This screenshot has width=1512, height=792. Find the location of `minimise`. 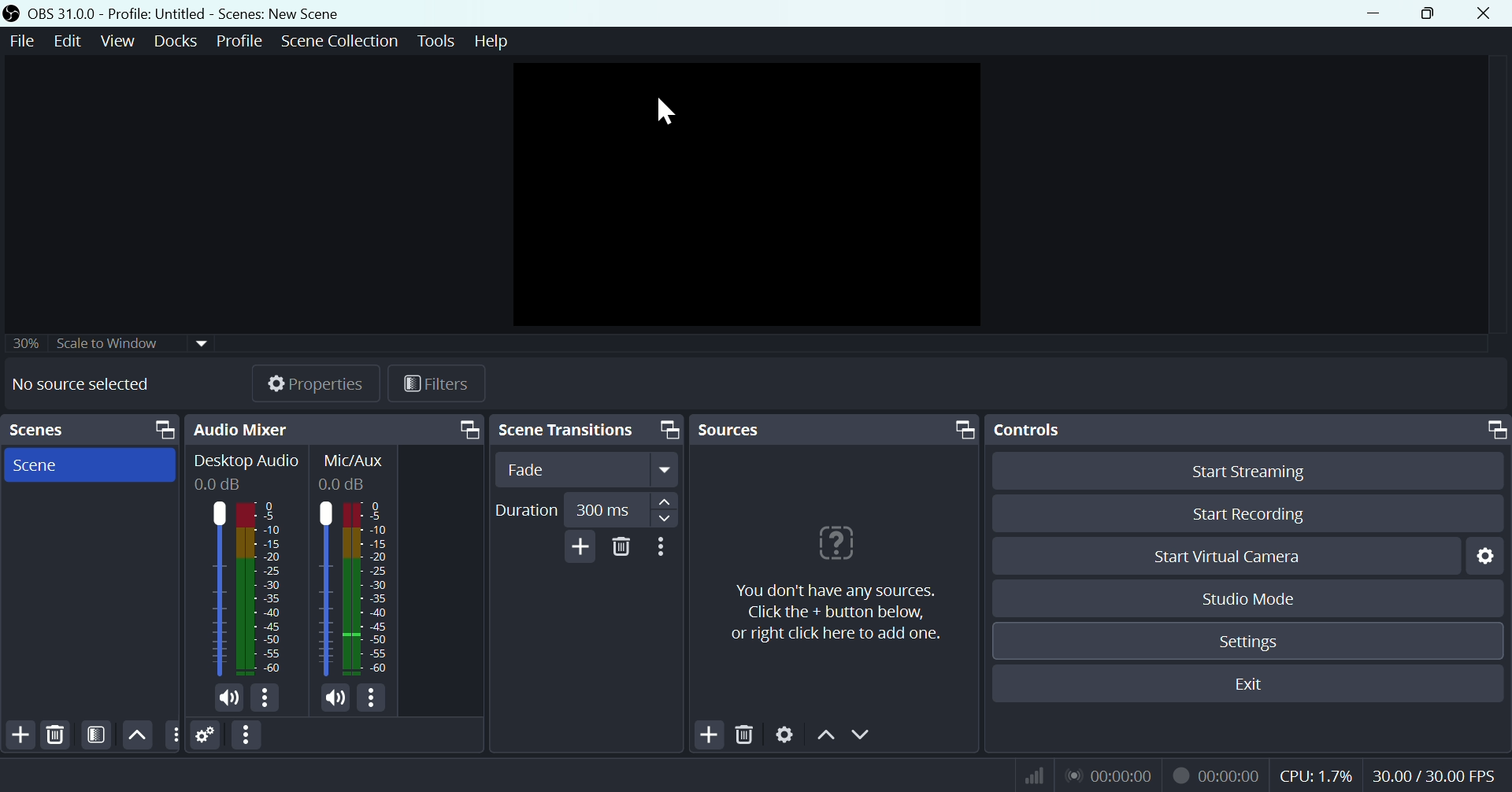

minimise is located at coordinates (1368, 13).